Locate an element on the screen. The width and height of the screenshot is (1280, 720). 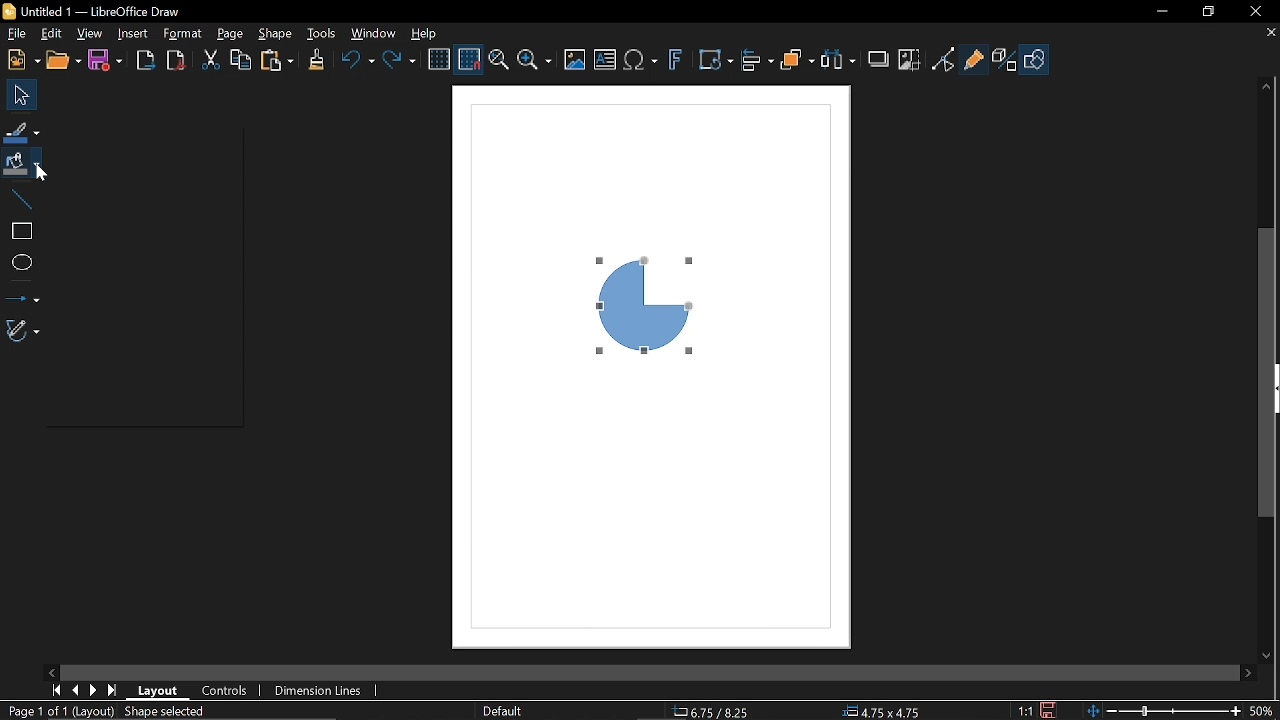
Edit is located at coordinates (48, 33).